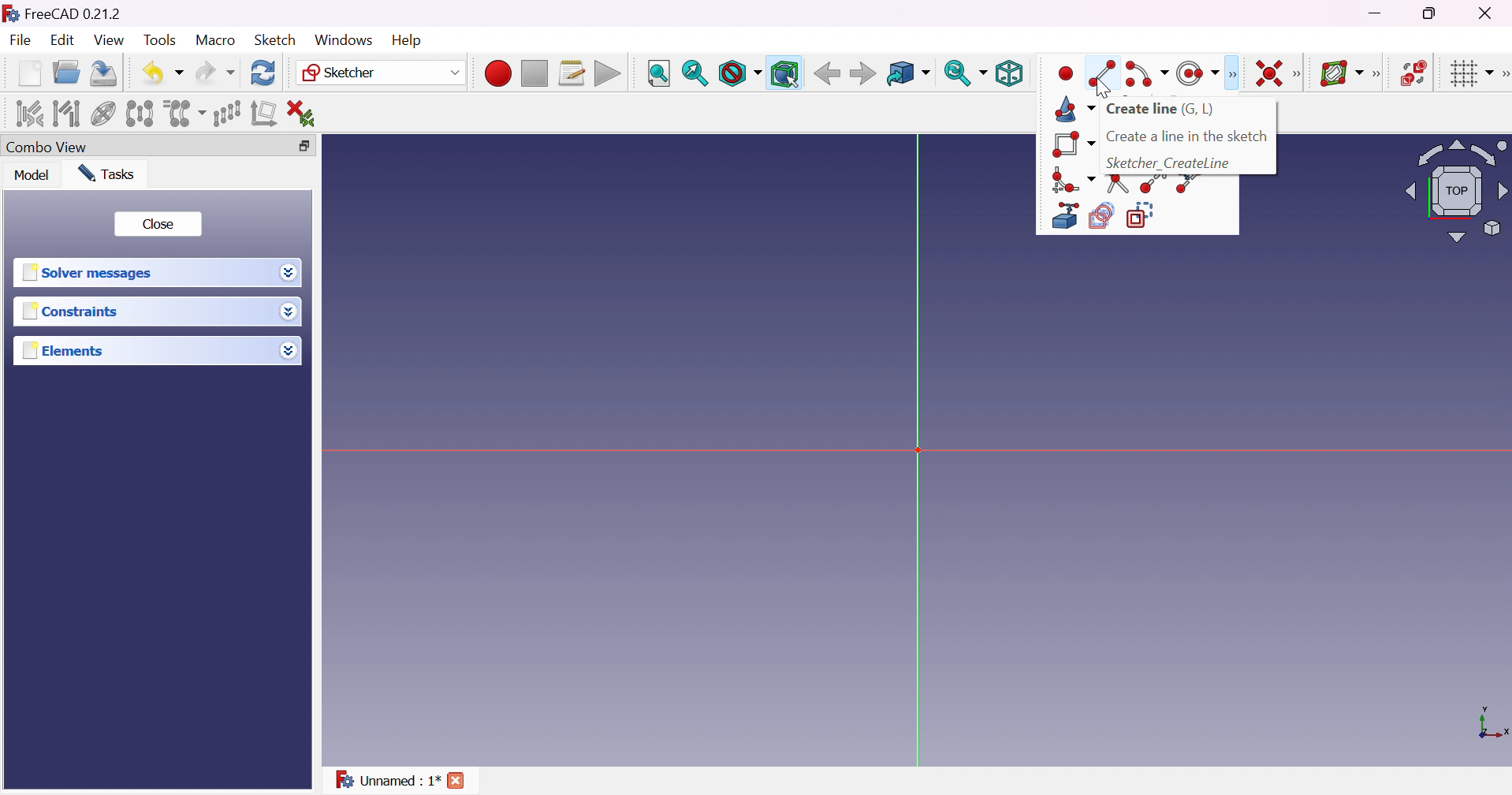  I want to click on Drop down, so click(289, 312).